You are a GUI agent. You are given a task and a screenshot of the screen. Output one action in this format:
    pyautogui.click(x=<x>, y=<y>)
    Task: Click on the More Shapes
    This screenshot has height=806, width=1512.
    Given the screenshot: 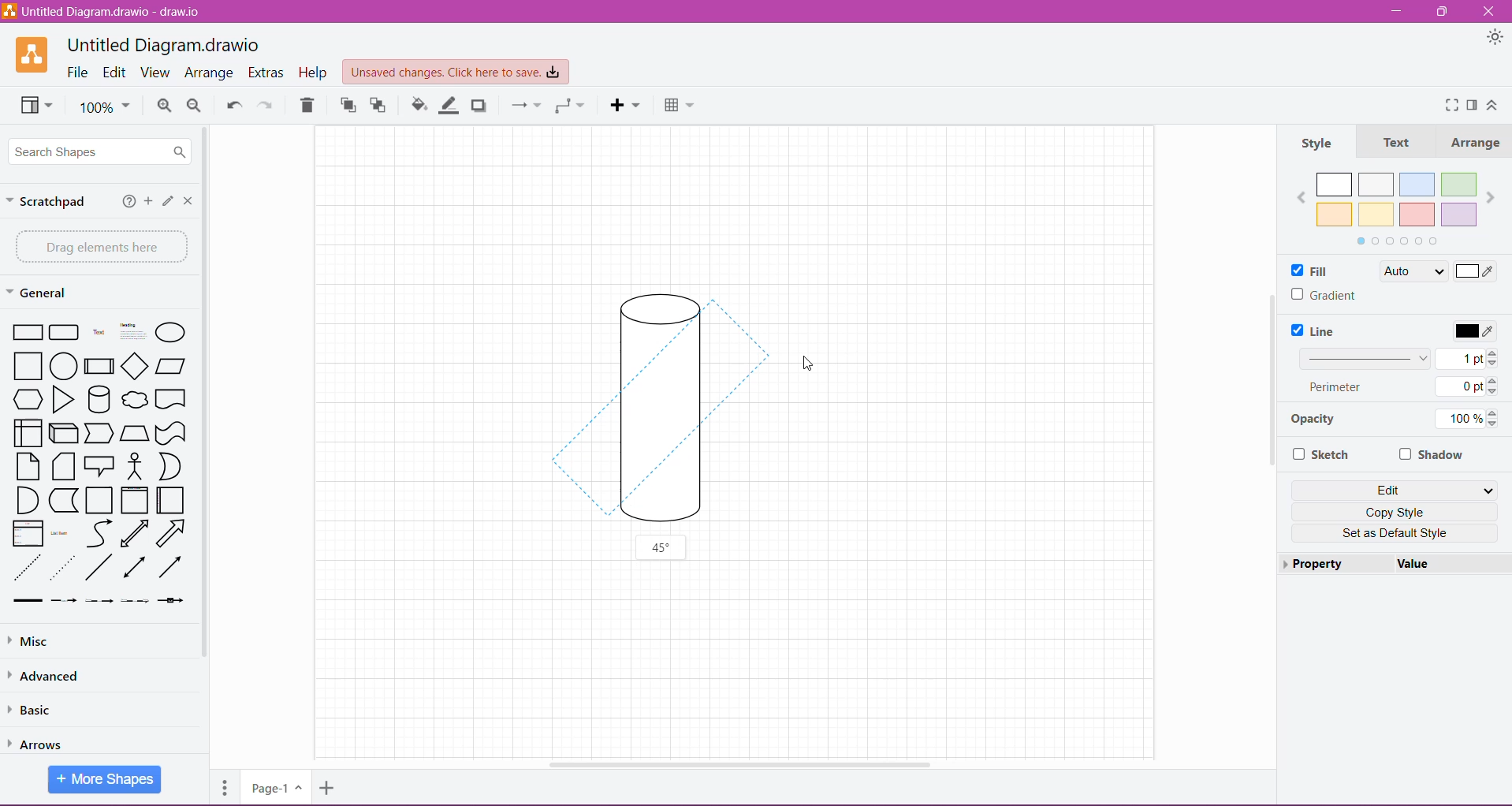 What is the action you would take?
    pyautogui.click(x=106, y=780)
    